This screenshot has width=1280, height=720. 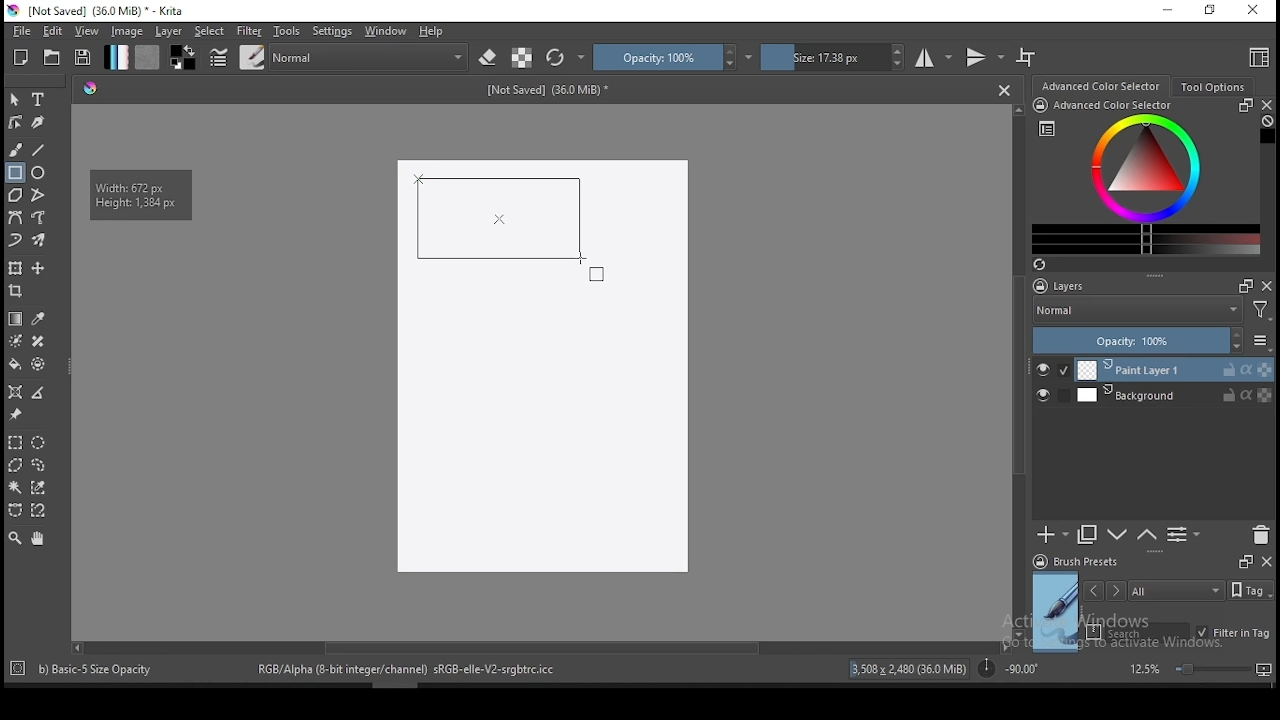 I want to click on polyline tool, so click(x=38, y=193).